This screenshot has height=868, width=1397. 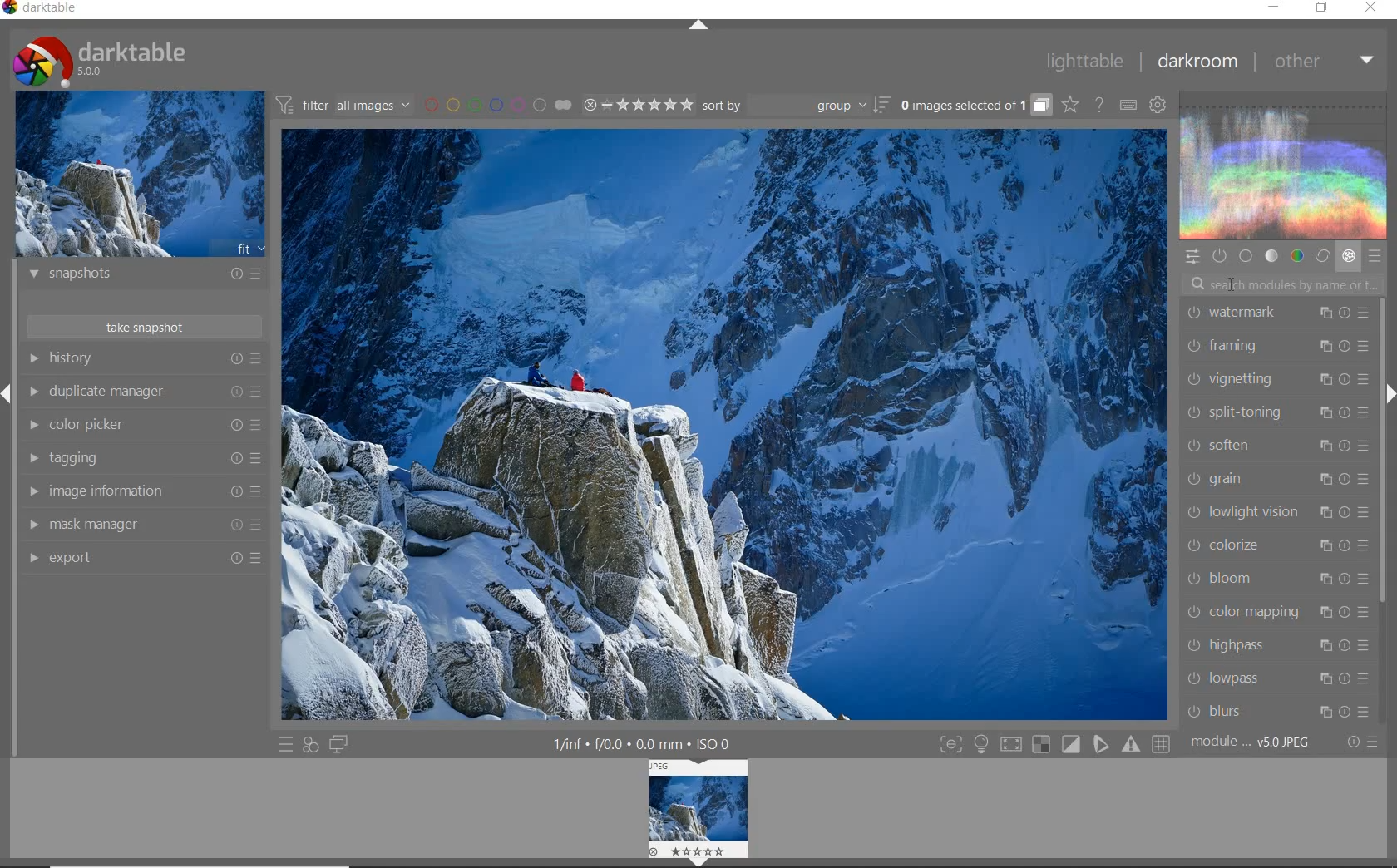 I want to click on reset or presets and preferences, so click(x=1365, y=742).